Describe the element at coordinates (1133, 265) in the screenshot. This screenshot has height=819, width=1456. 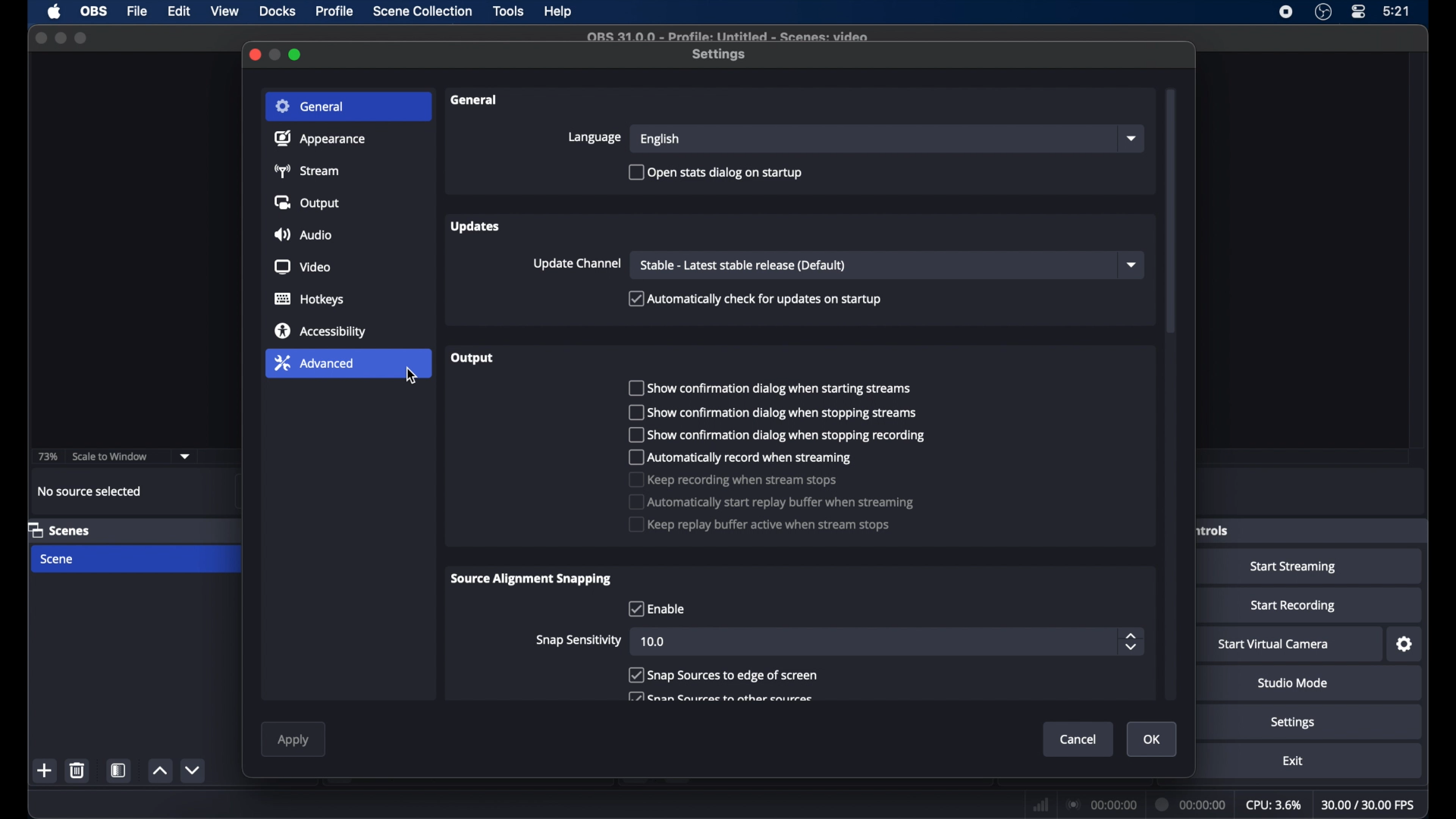
I see `dropdown` at that location.